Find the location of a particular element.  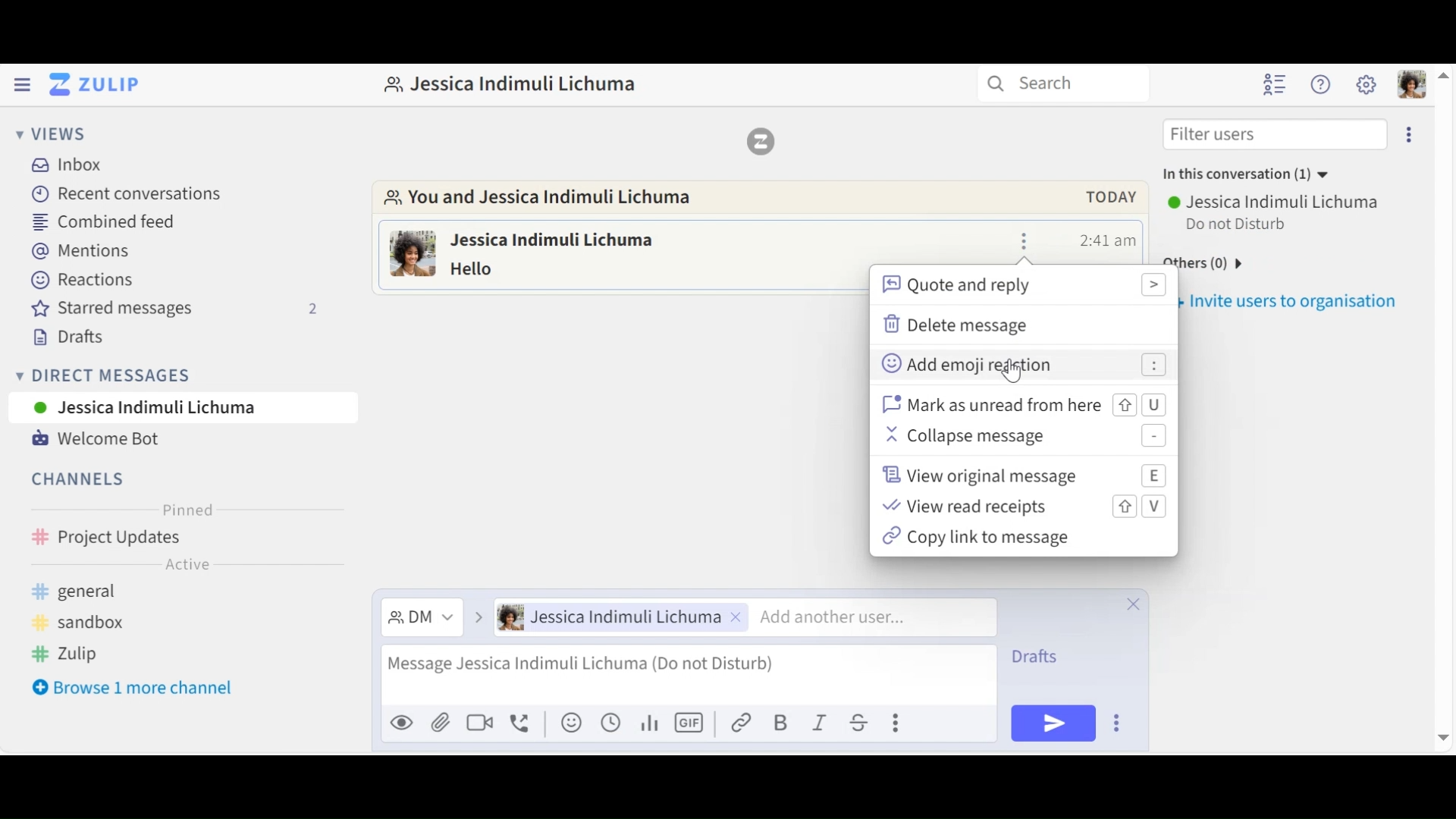

Upload File is located at coordinates (441, 725).